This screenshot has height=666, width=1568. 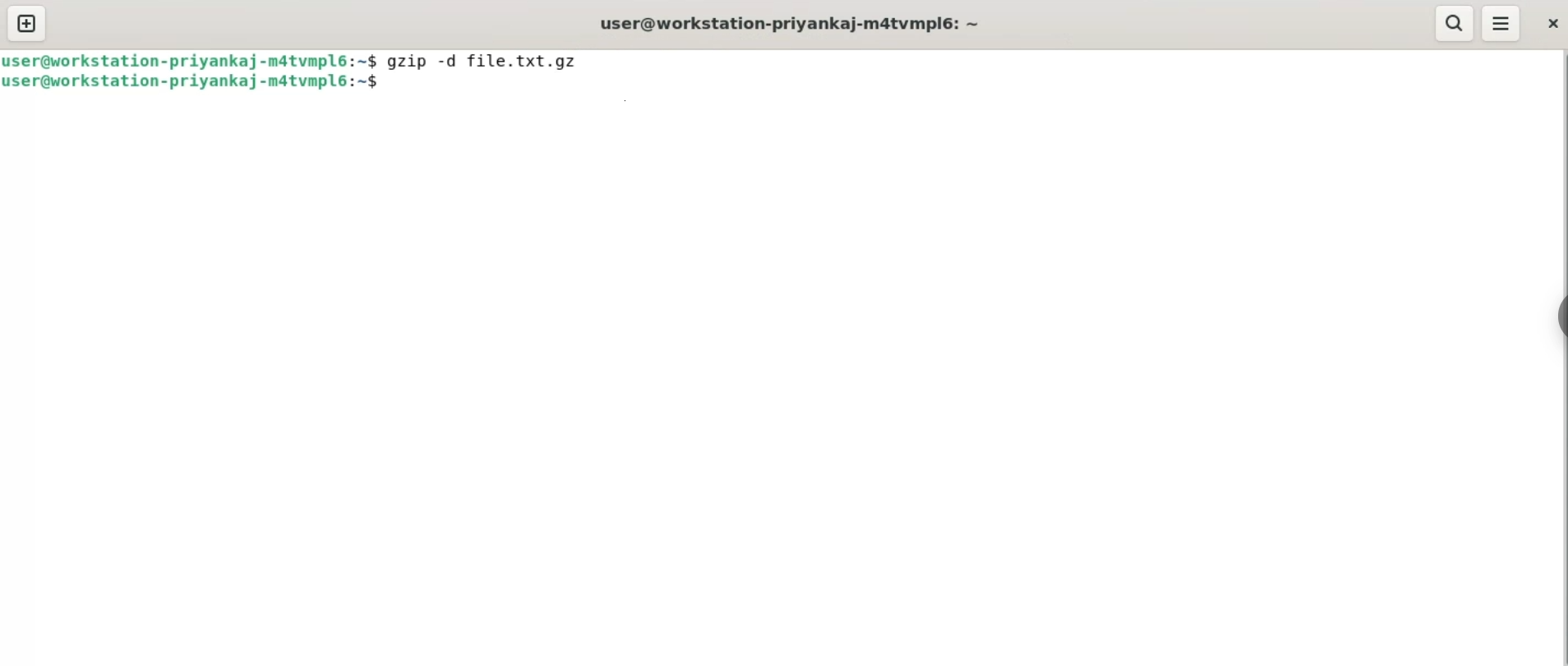 I want to click on user@workstation-priyankaj-m4tvmplé:~$, so click(x=191, y=61).